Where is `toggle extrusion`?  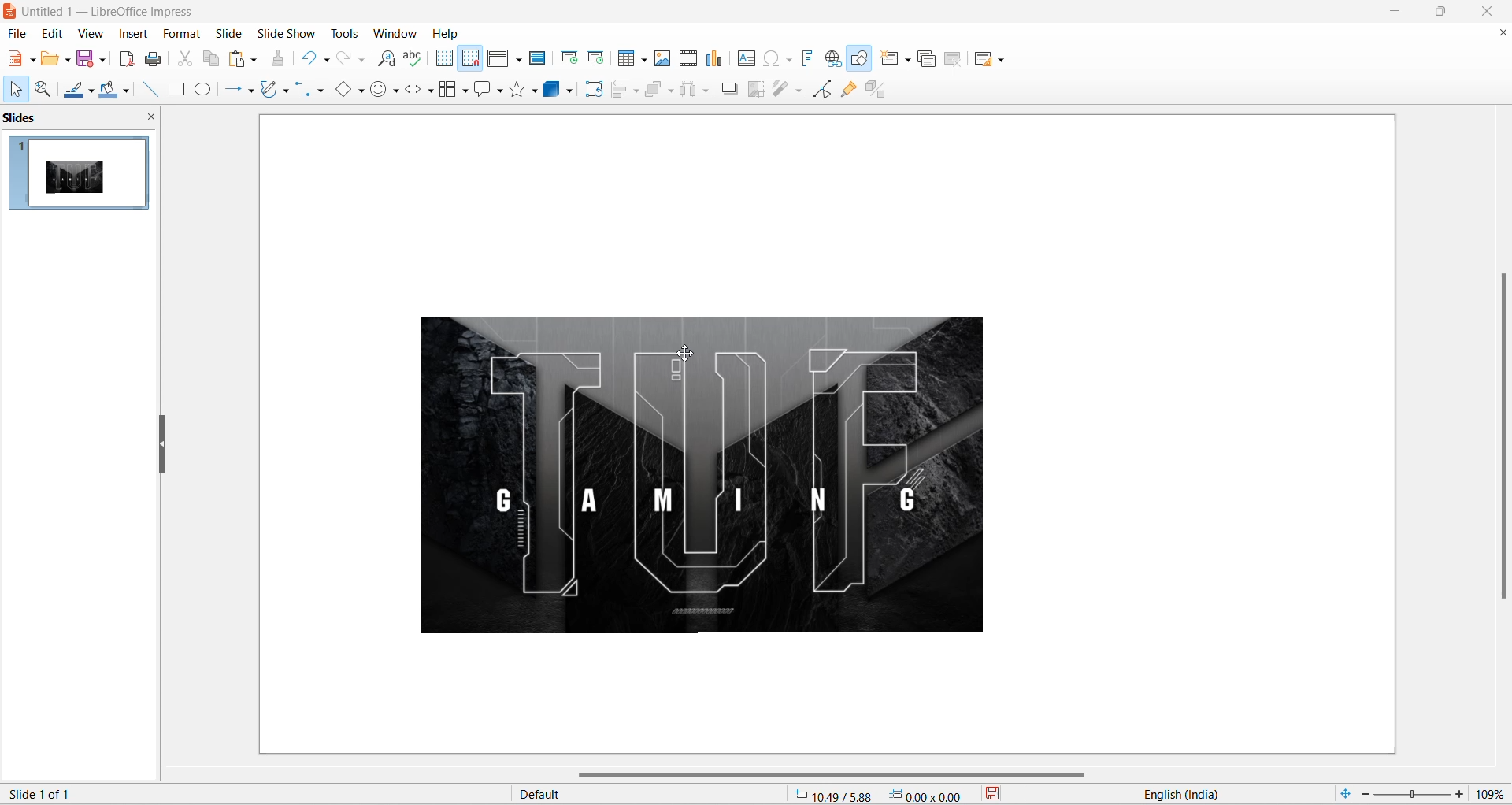
toggle extrusion is located at coordinates (881, 87).